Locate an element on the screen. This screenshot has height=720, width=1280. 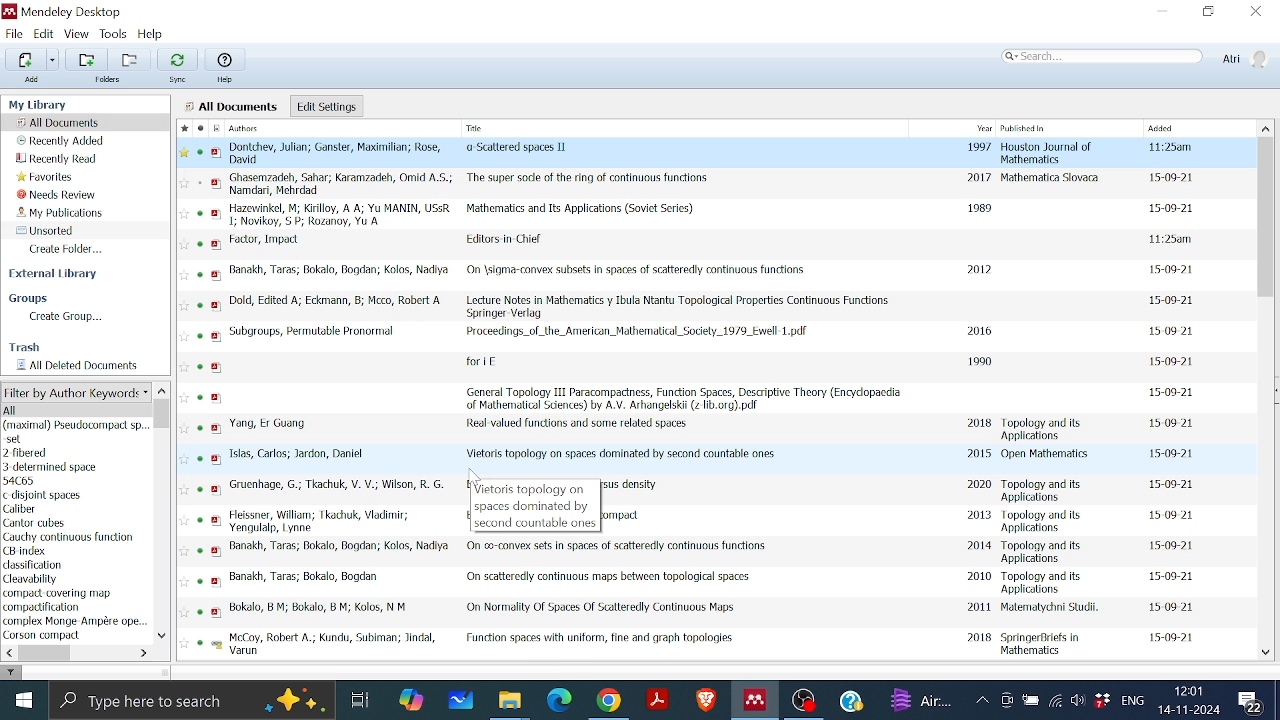
read status is located at coordinates (202, 490).